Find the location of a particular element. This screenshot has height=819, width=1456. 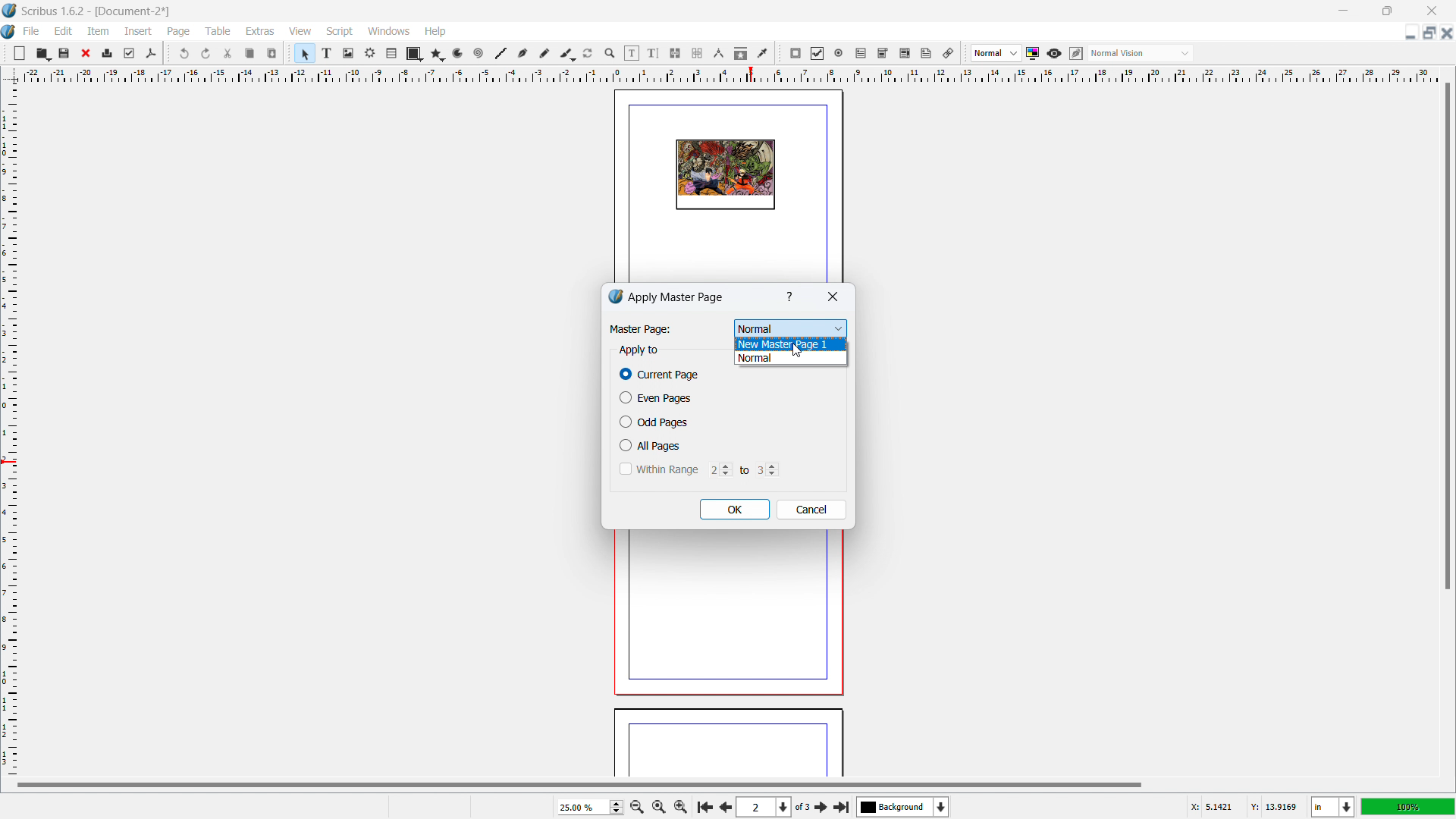

save as pdf is located at coordinates (150, 54).